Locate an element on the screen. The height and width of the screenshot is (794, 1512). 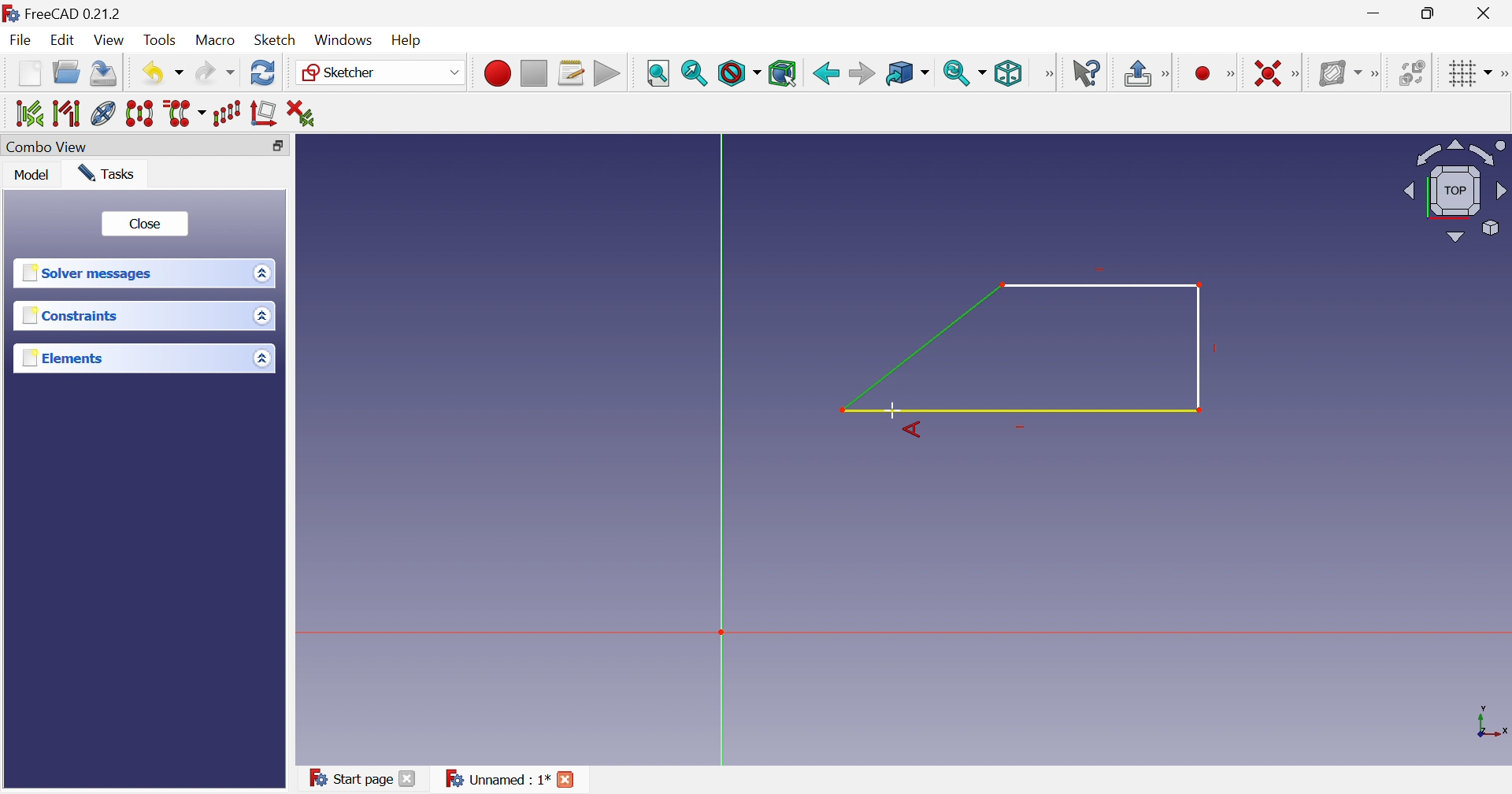
Solver messages is located at coordinates (91, 274).